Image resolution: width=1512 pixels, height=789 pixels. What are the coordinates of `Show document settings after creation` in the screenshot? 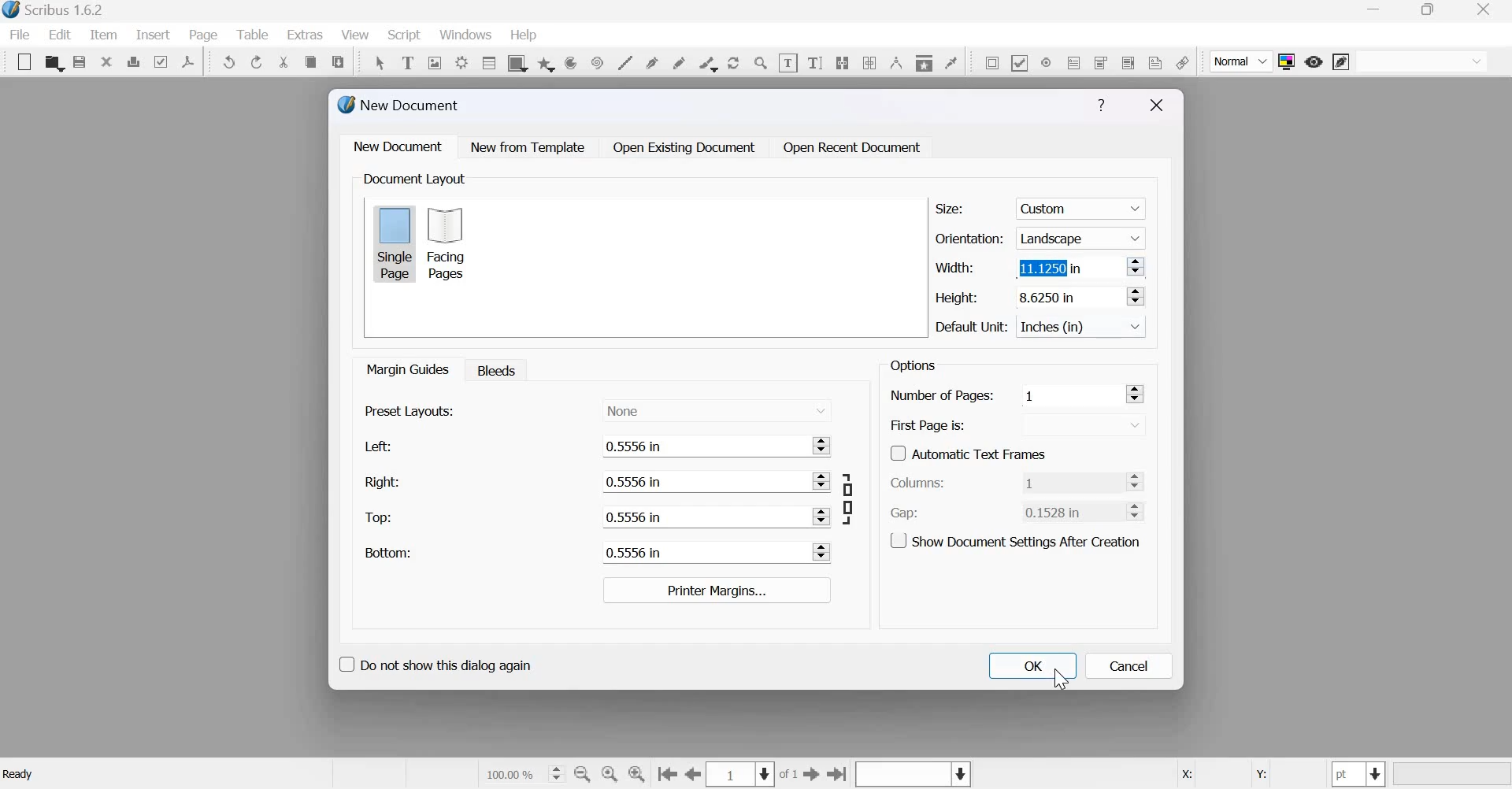 It's located at (1015, 539).